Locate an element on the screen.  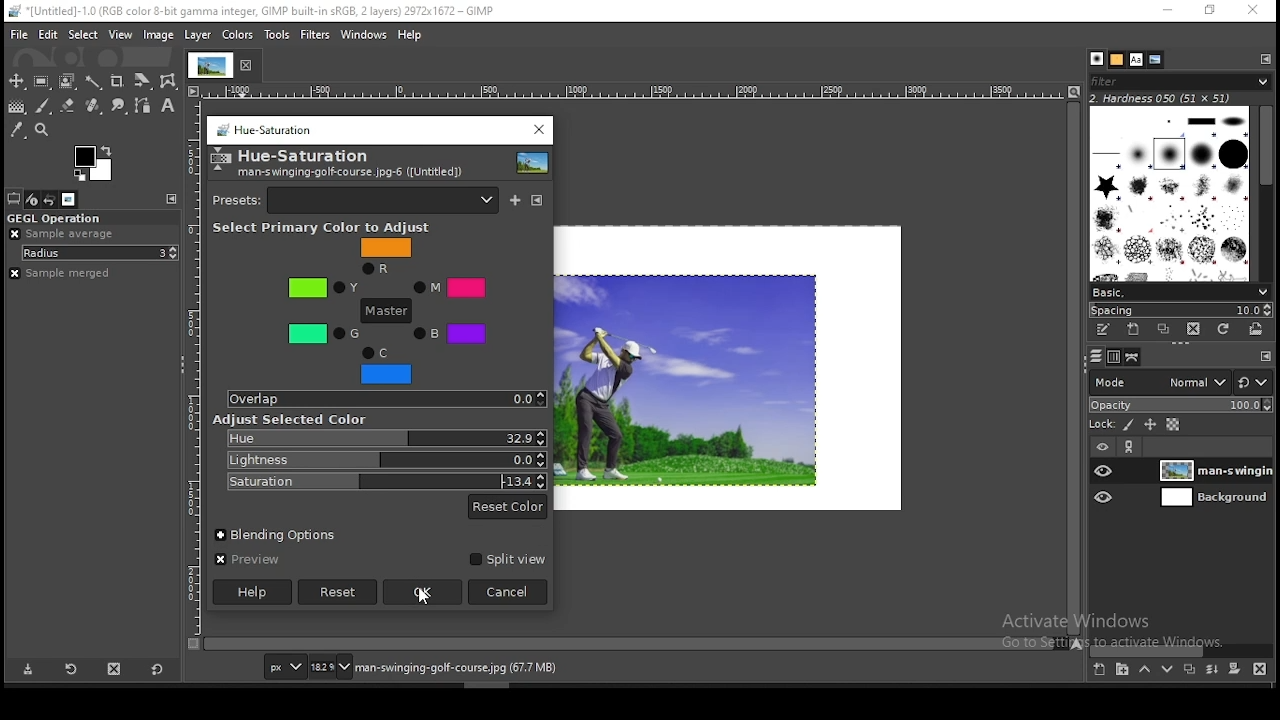
image is located at coordinates (159, 34).